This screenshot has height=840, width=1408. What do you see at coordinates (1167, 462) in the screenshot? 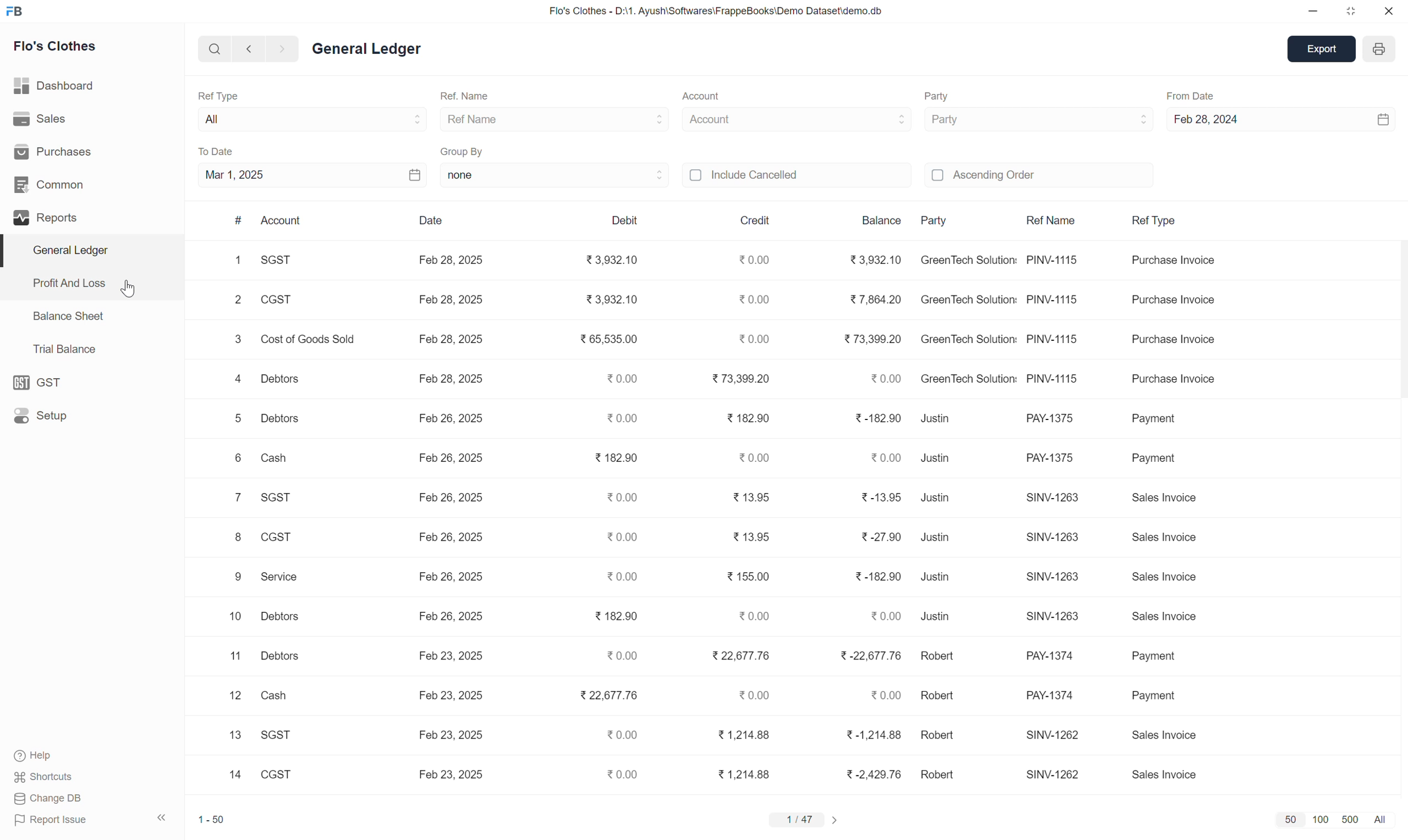
I see `Payment` at bounding box center [1167, 462].